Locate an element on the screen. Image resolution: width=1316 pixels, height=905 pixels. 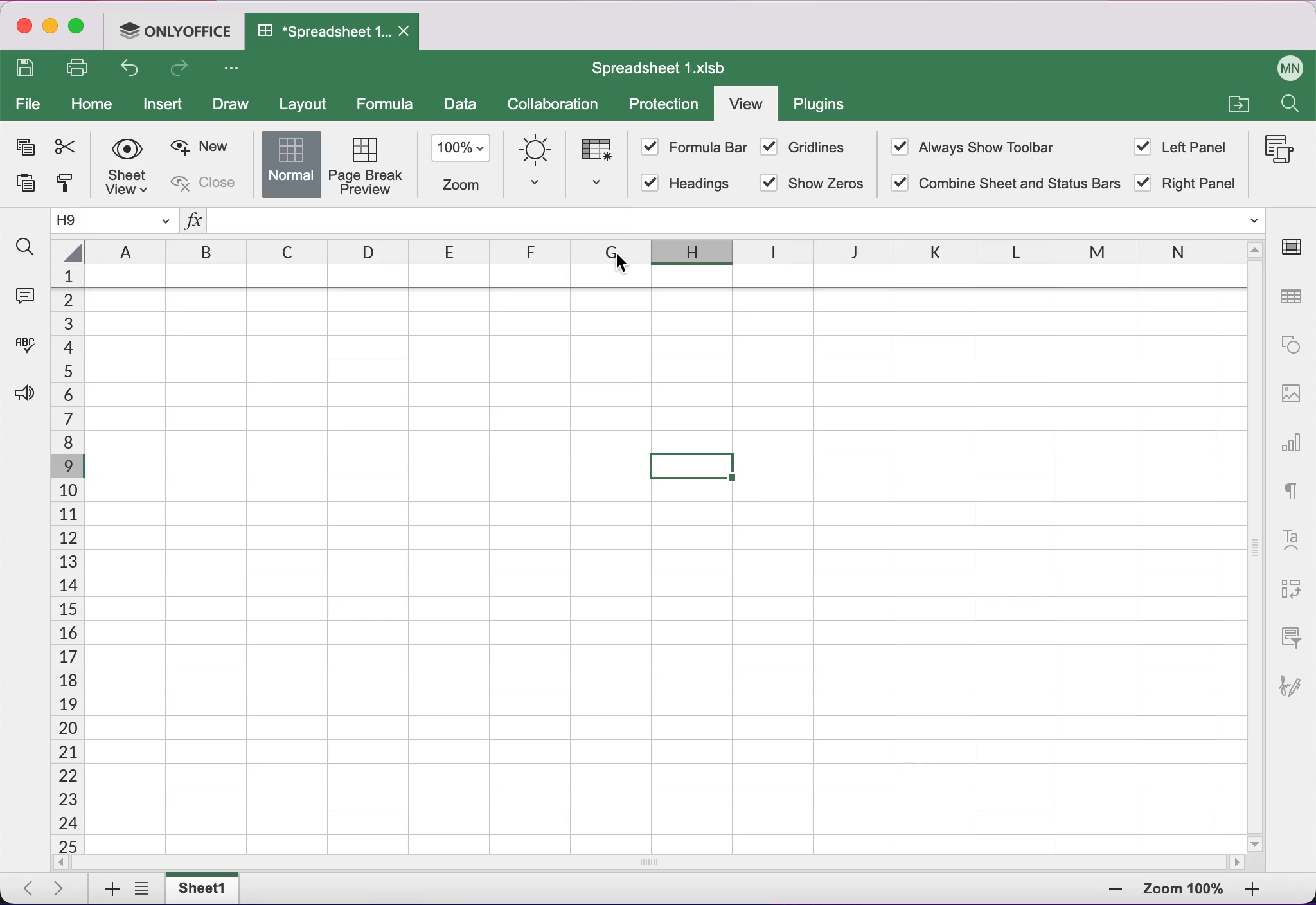
zoom out is located at coordinates (1265, 892).